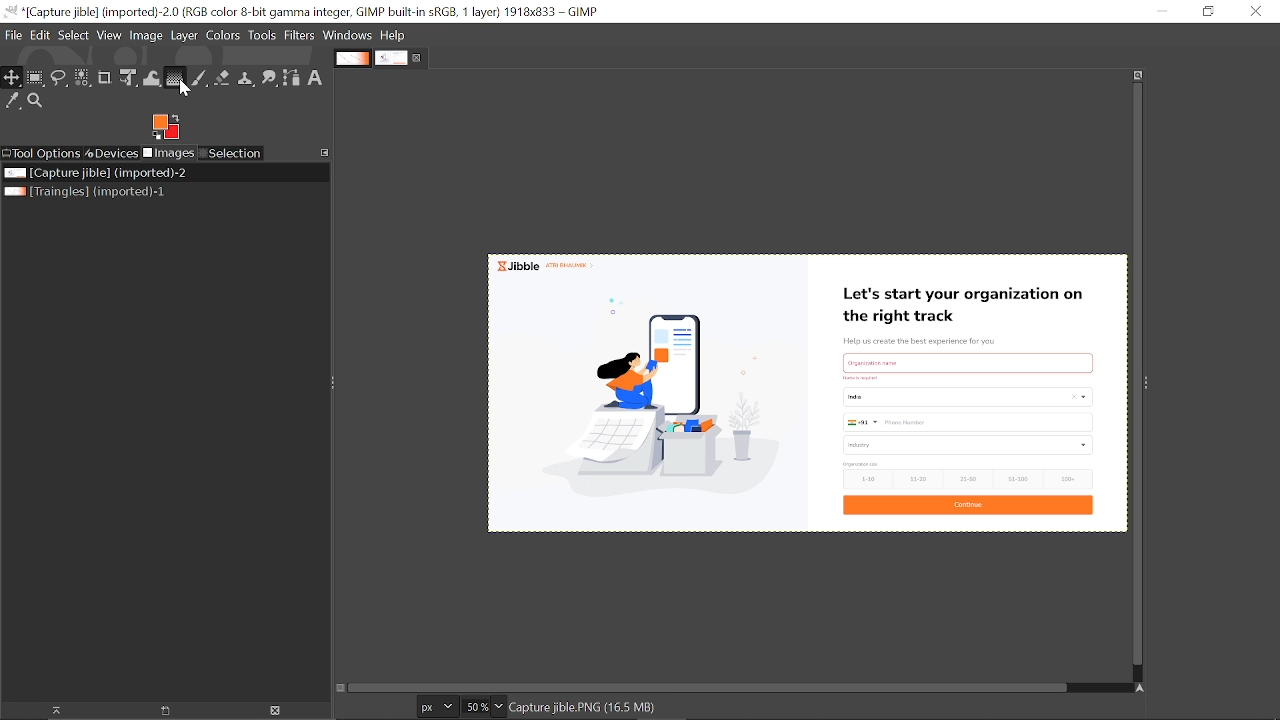 Image resolution: width=1280 pixels, height=720 pixels. I want to click on View, so click(110, 35).